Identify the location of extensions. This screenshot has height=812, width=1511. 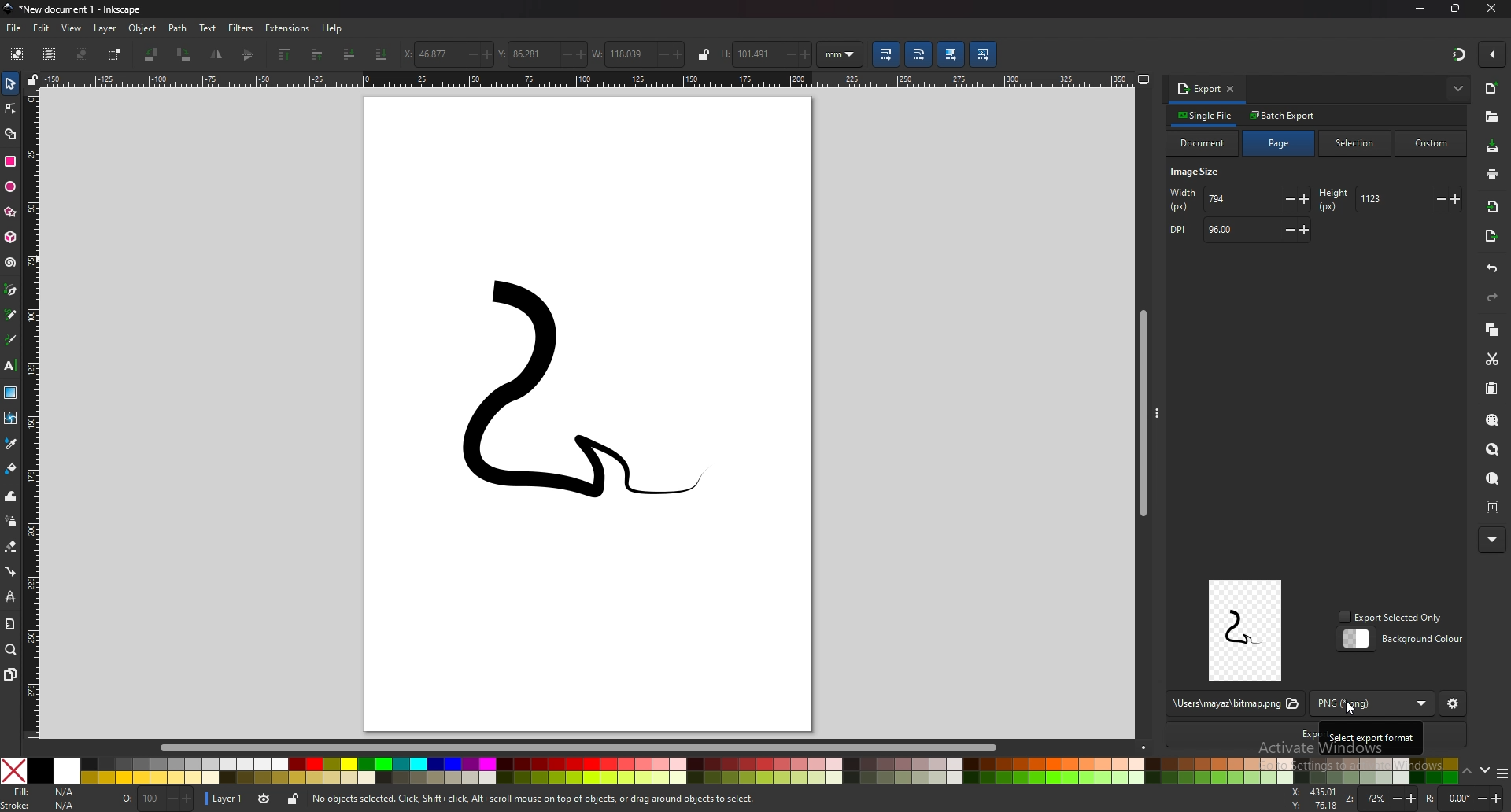
(289, 28).